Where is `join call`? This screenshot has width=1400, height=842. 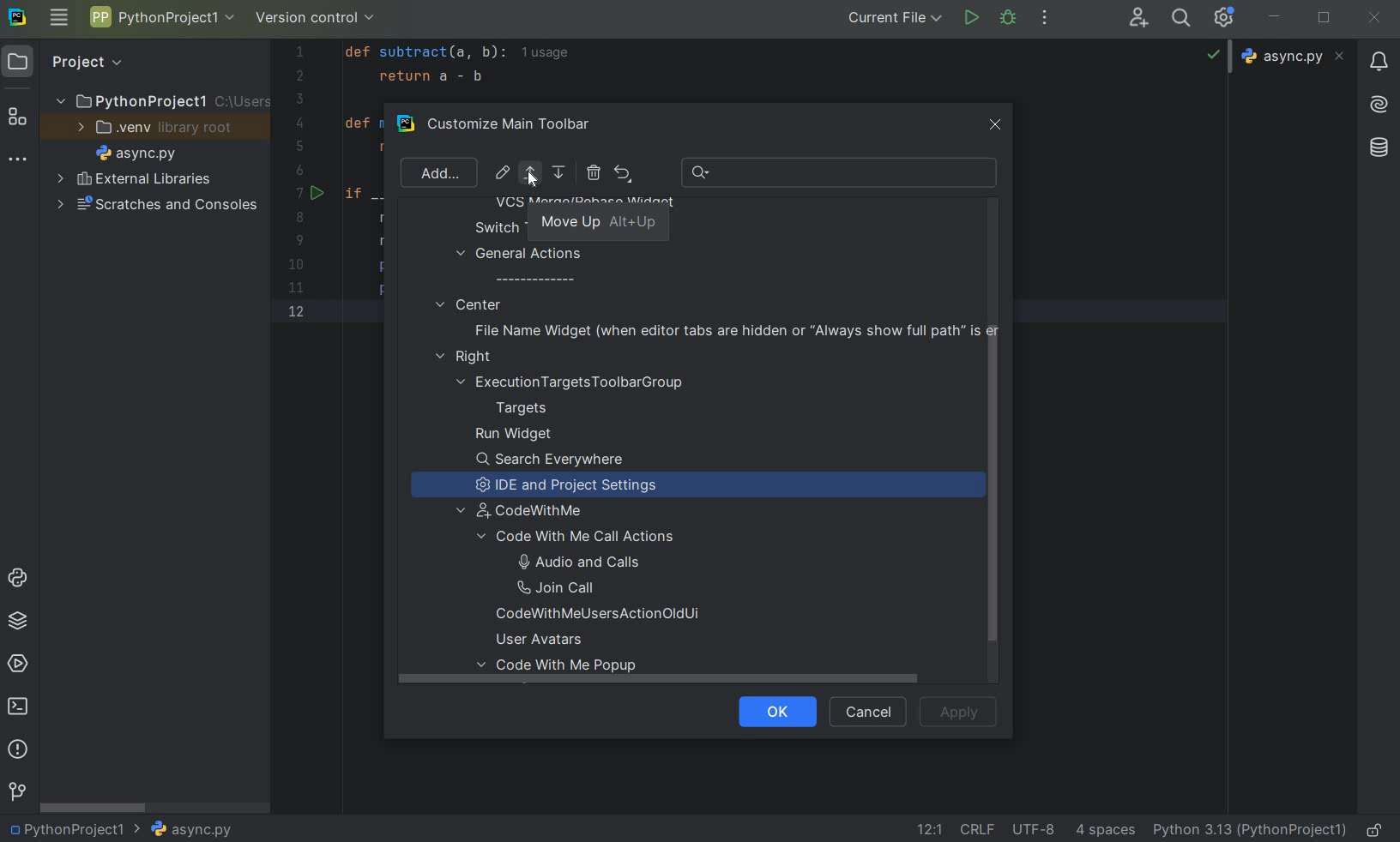 join call is located at coordinates (576, 588).